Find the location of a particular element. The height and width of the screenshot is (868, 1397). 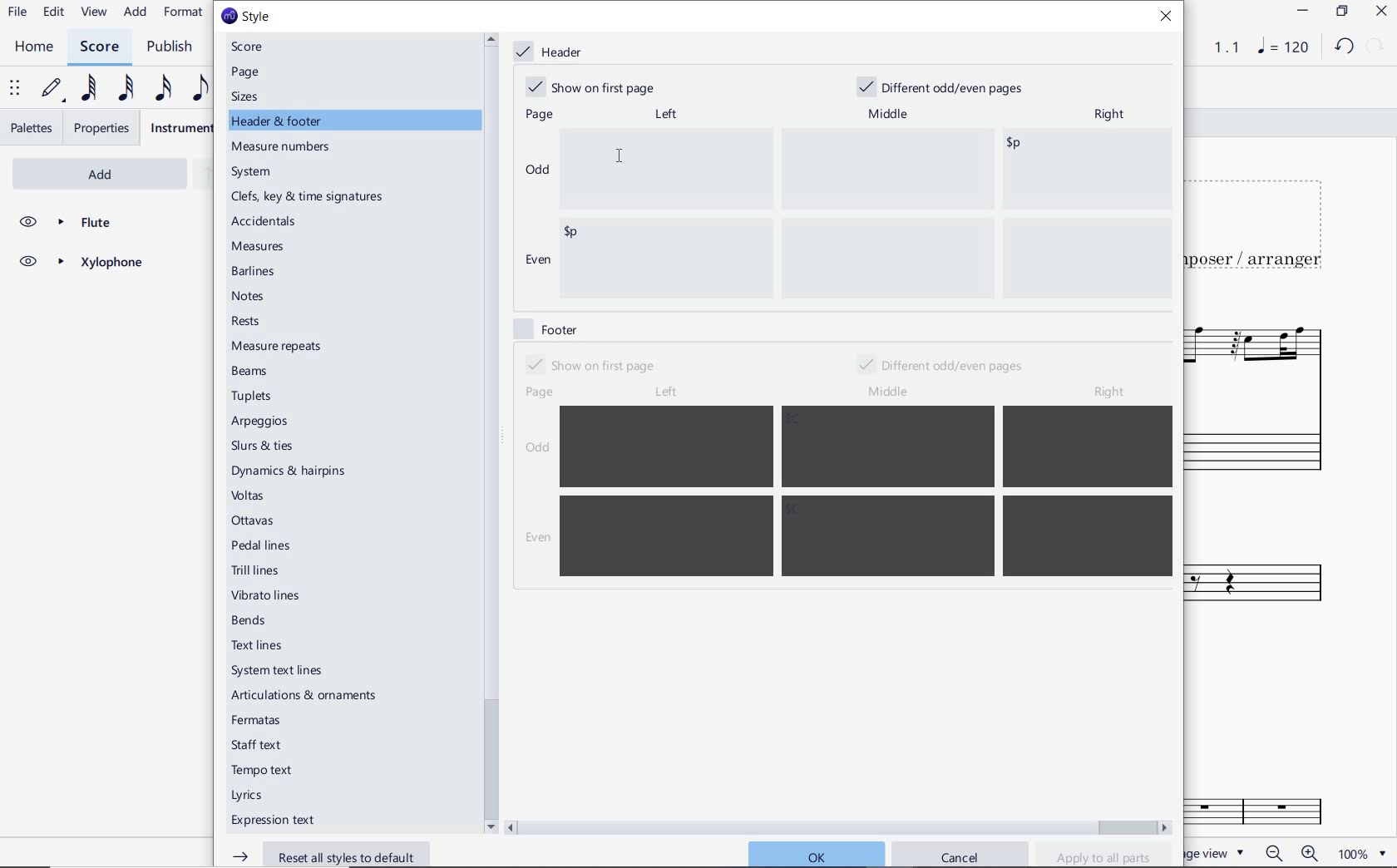

ADD is located at coordinates (136, 12).